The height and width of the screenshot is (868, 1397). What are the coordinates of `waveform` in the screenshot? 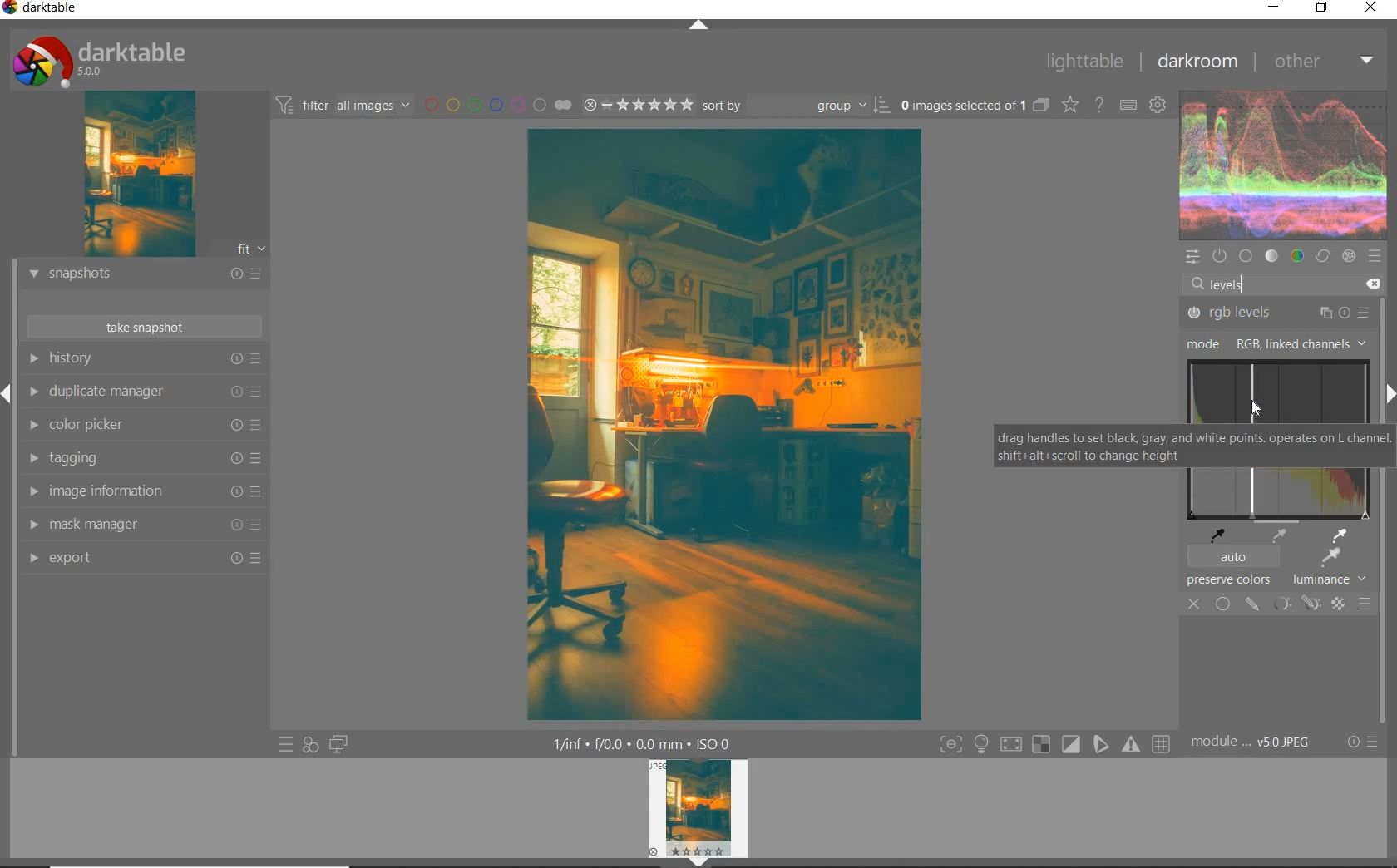 It's located at (1284, 165).